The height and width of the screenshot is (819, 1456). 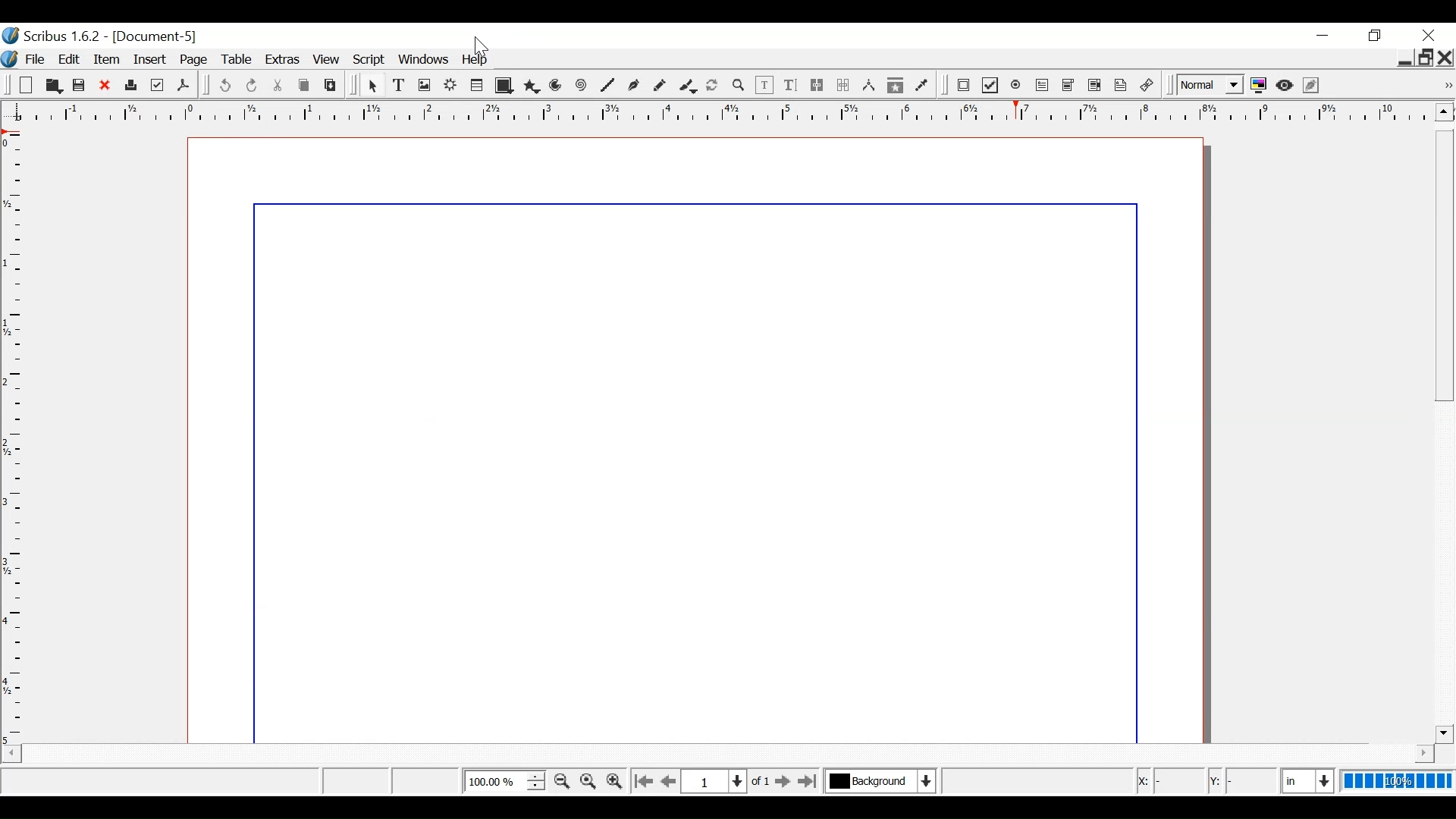 What do you see at coordinates (476, 86) in the screenshot?
I see `Table` at bounding box center [476, 86].